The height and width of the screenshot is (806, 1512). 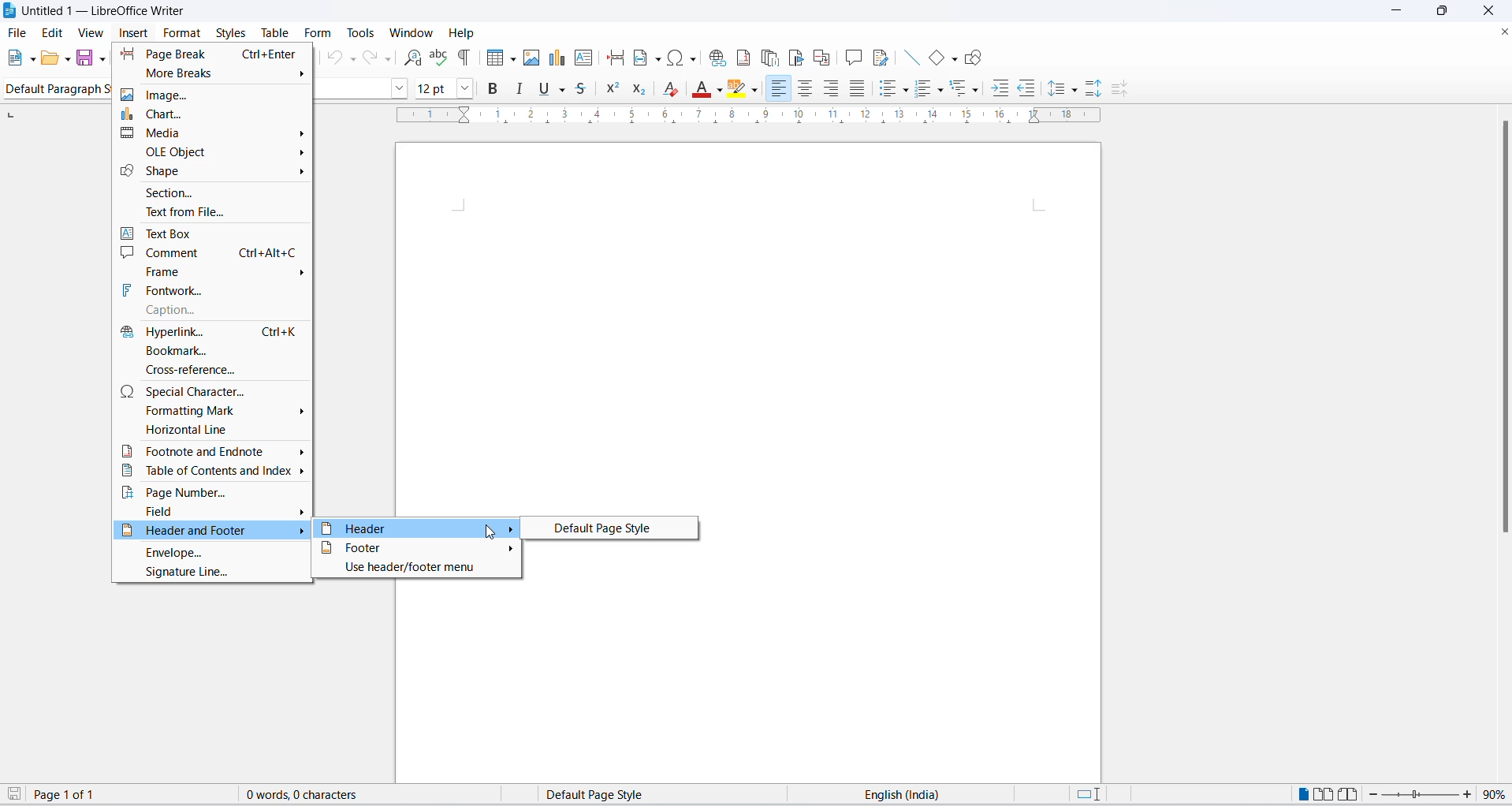 What do you see at coordinates (215, 114) in the screenshot?
I see `chart` at bounding box center [215, 114].